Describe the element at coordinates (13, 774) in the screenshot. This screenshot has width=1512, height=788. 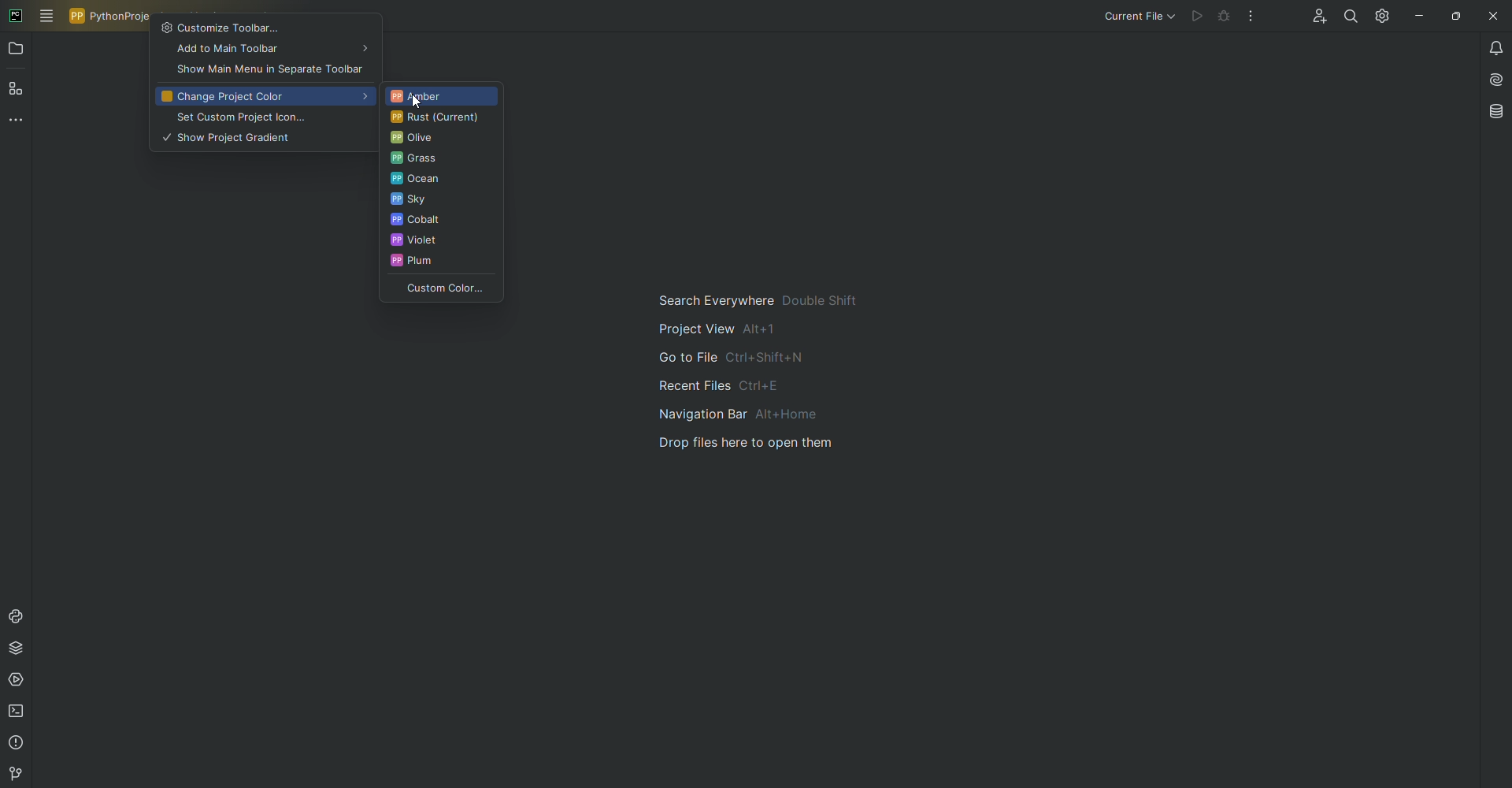
I see `Version Control` at that location.